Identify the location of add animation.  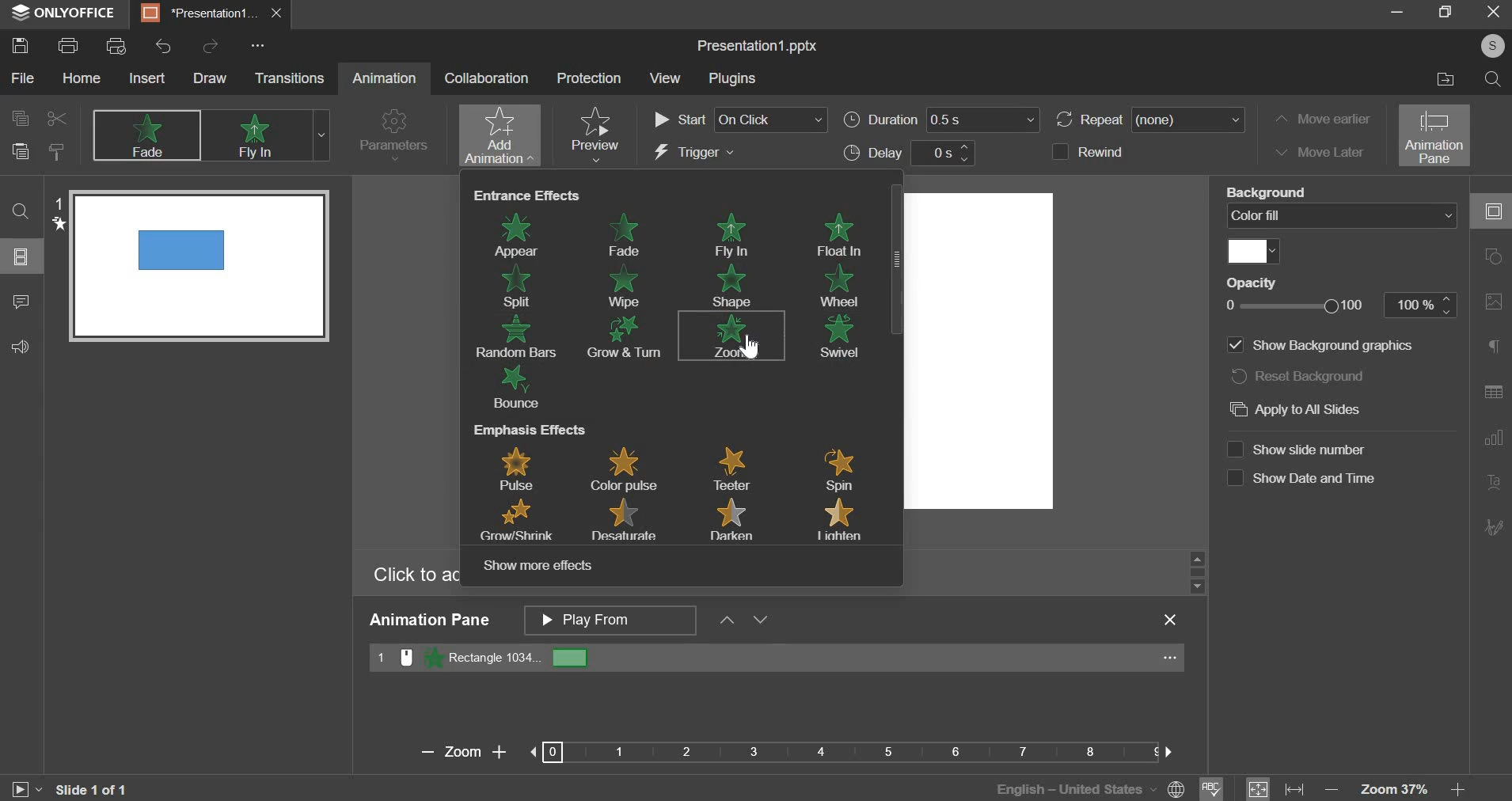
(502, 136).